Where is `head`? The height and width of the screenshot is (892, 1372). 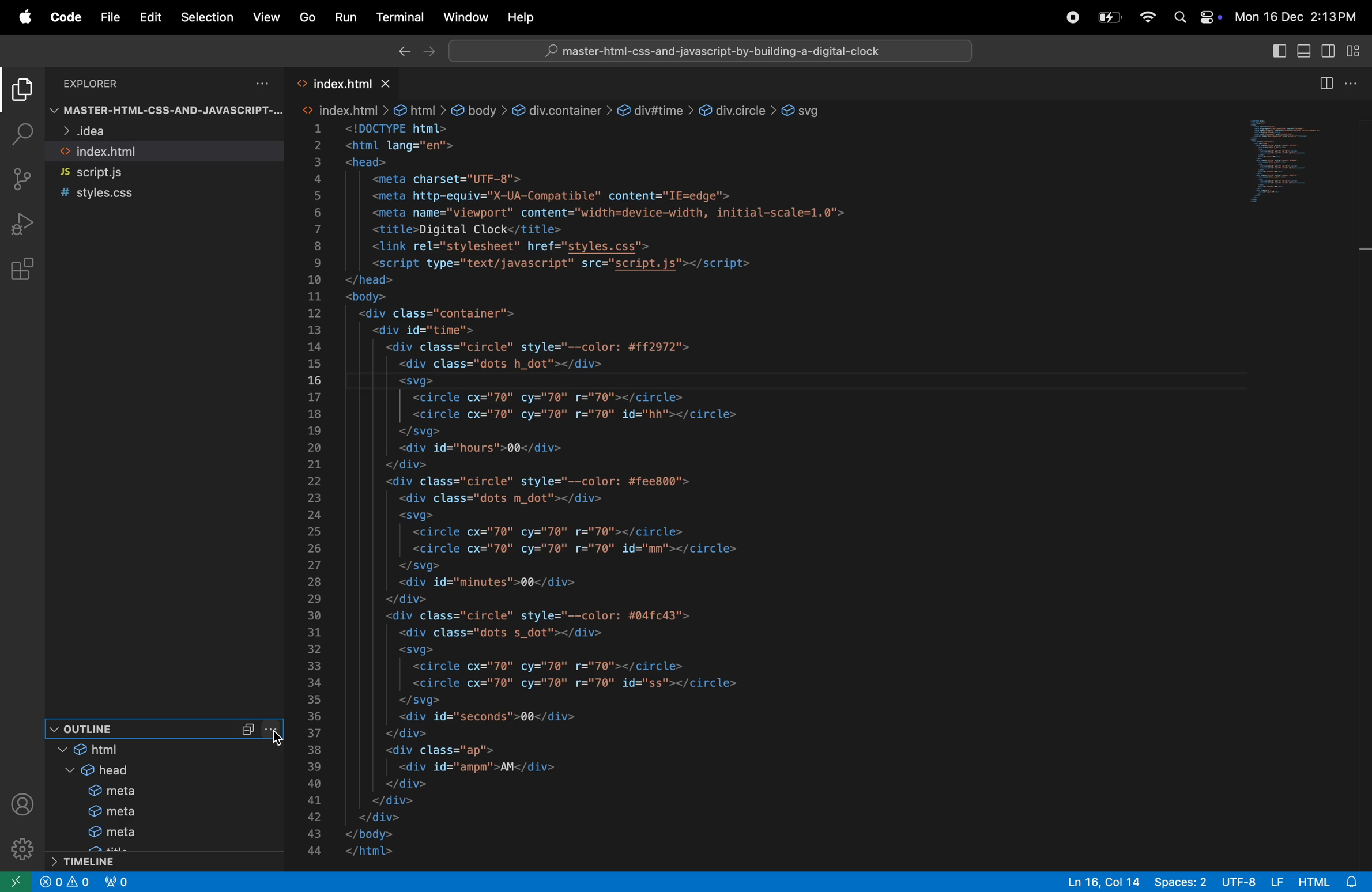
head is located at coordinates (163, 770).